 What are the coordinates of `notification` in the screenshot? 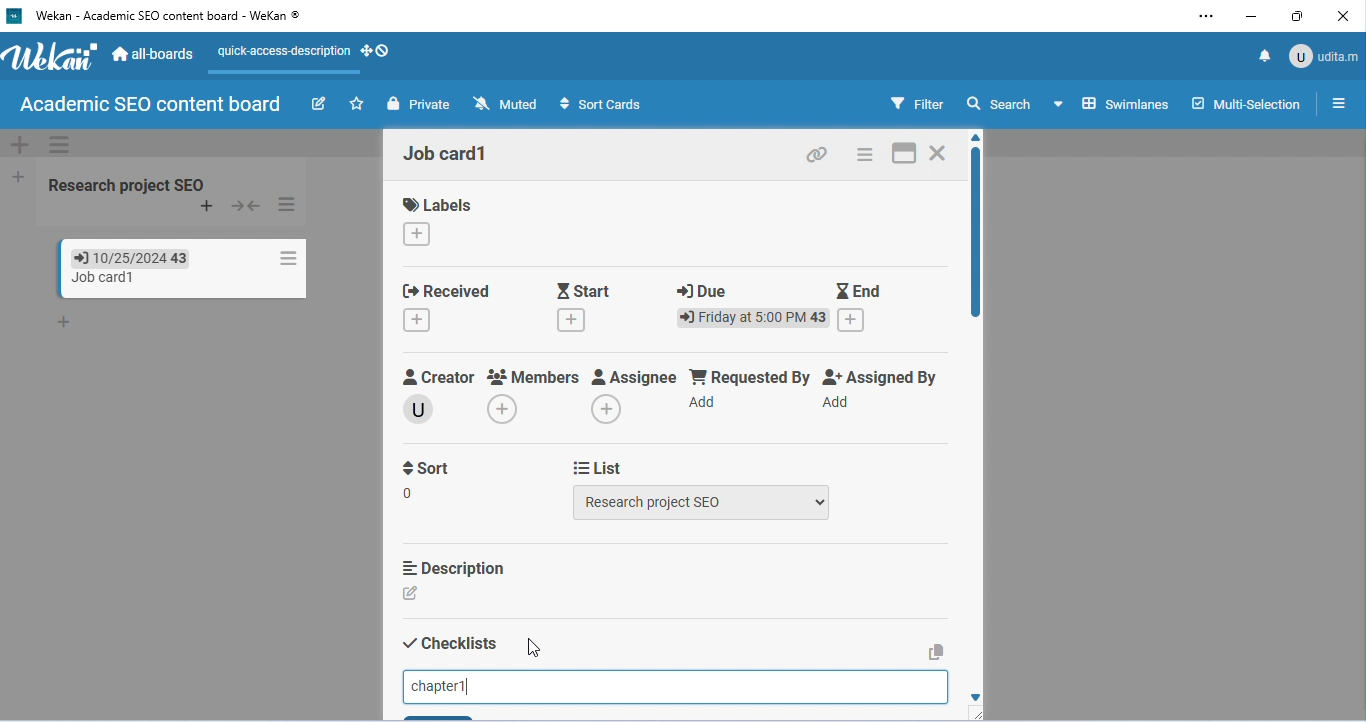 It's located at (1262, 55).